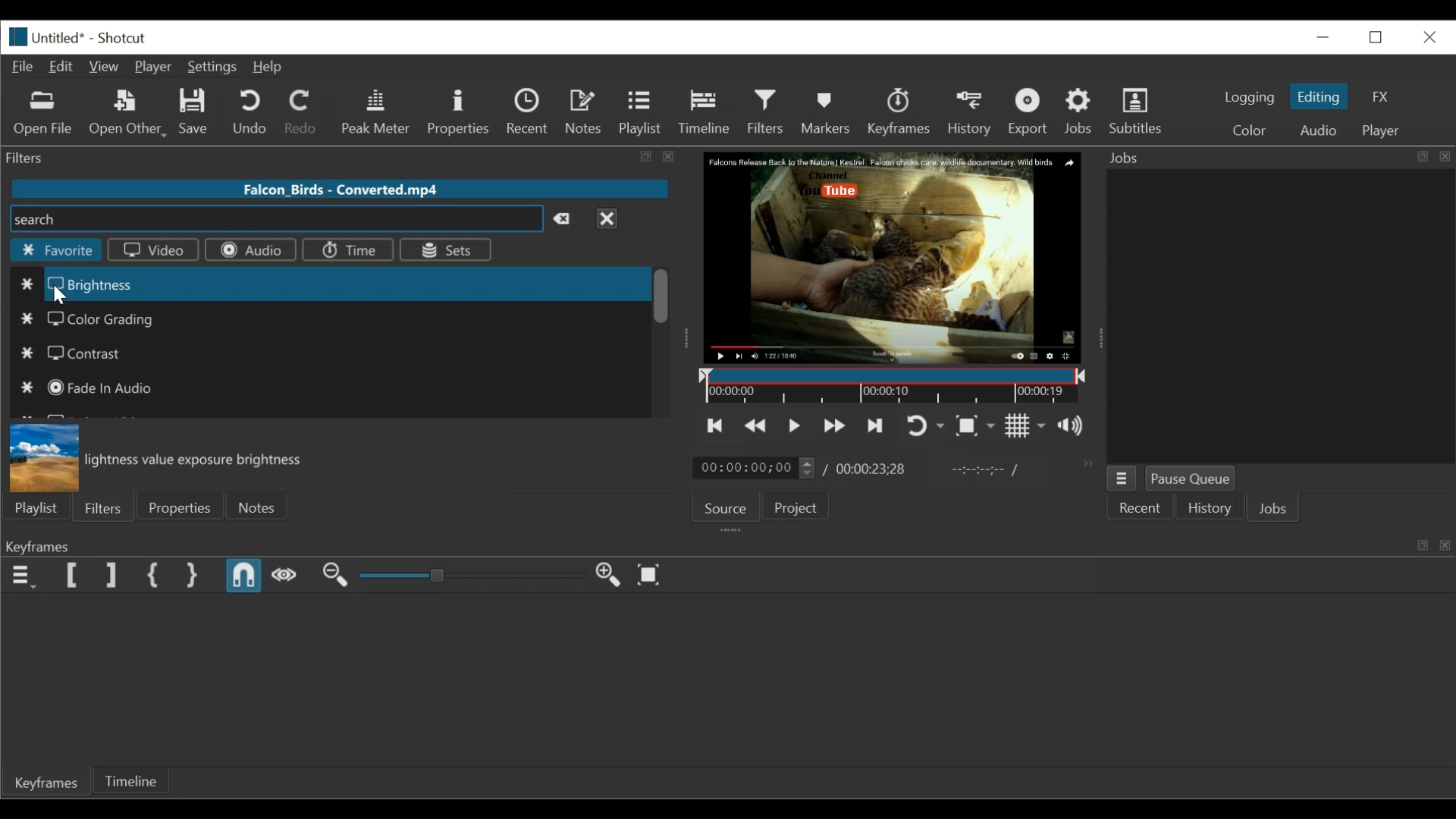  I want to click on Playlist, so click(640, 114).